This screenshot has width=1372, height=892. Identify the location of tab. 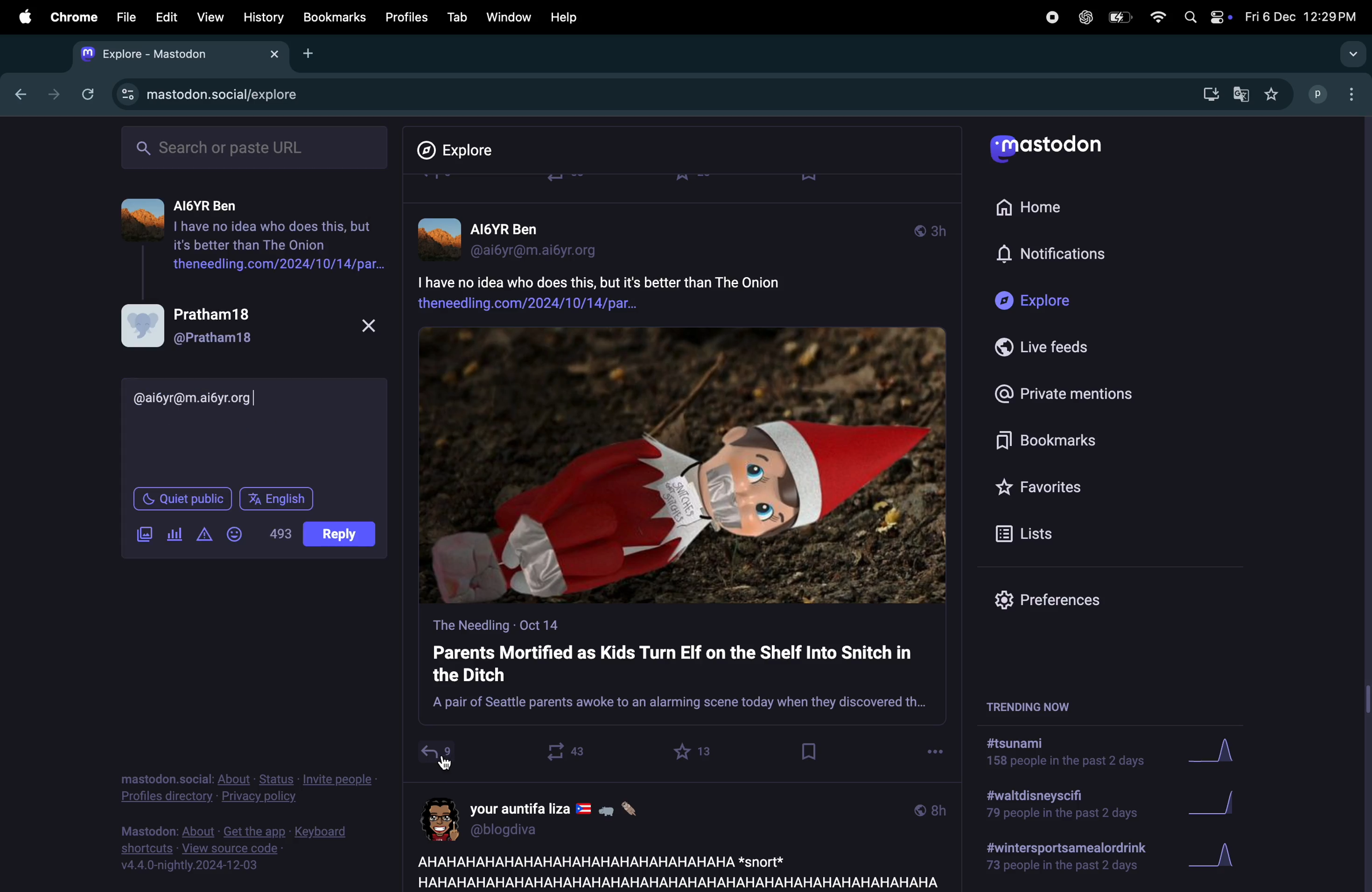
(457, 17).